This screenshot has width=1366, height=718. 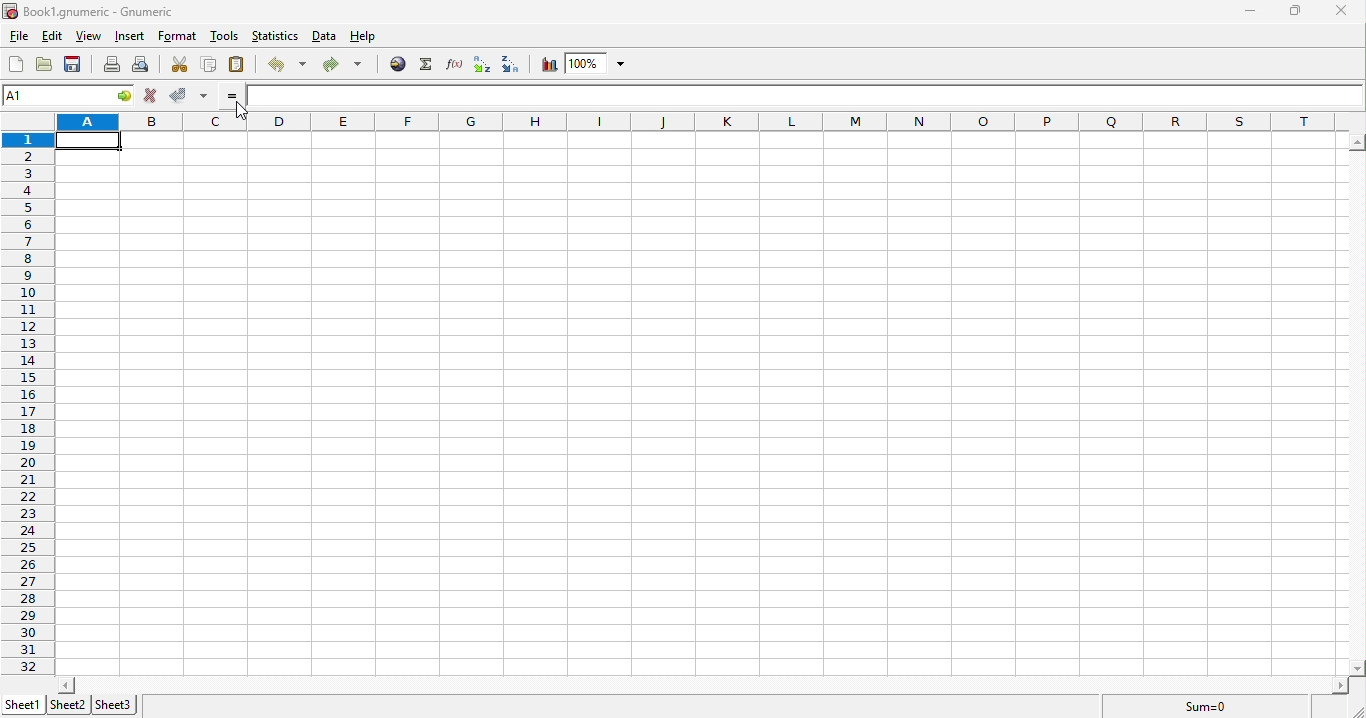 I want to click on redo, so click(x=346, y=66).